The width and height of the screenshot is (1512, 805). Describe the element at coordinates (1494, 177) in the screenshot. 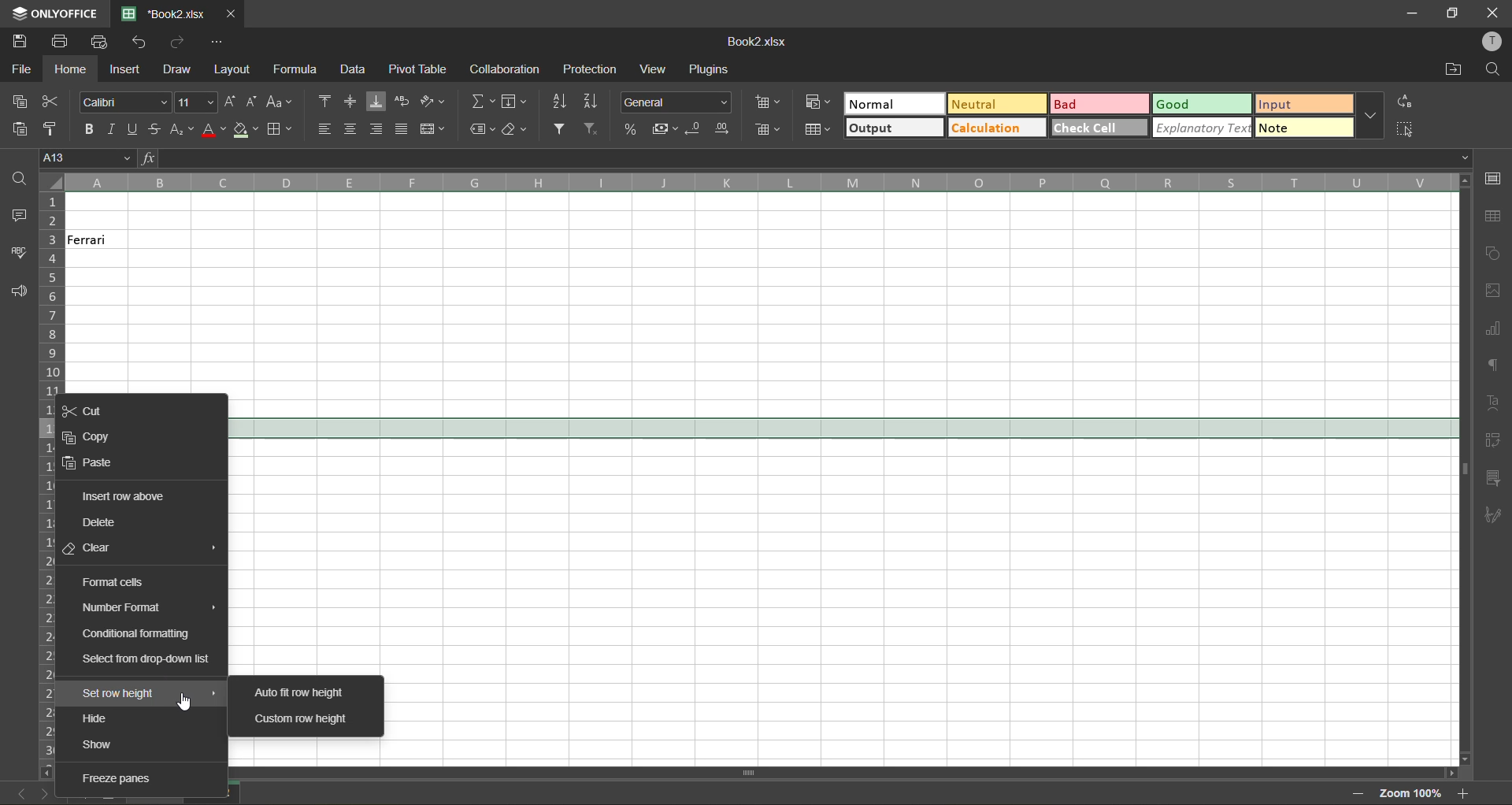

I see `cell settings` at that location.